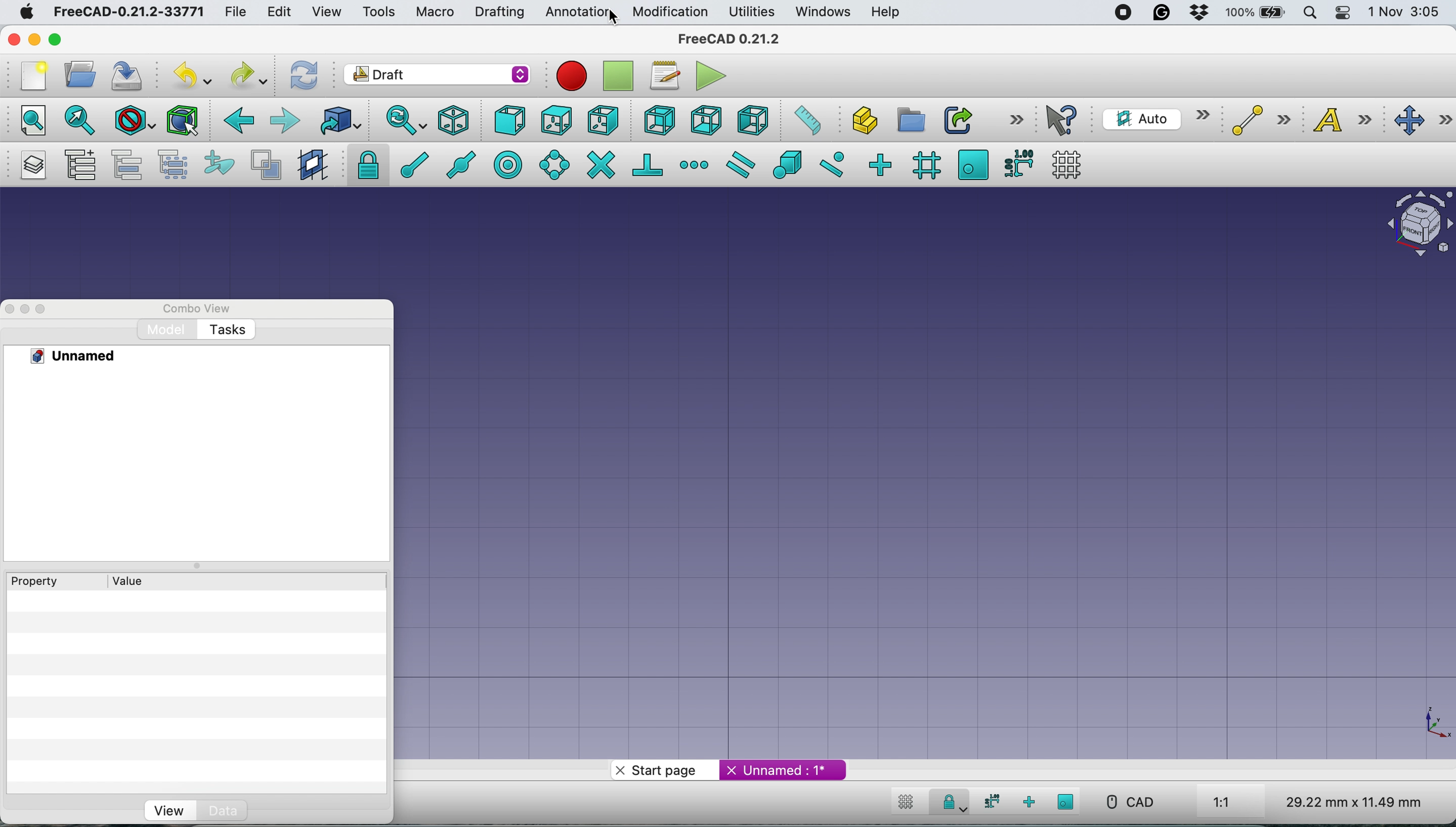  I want to click on create part, so click(906, 120).